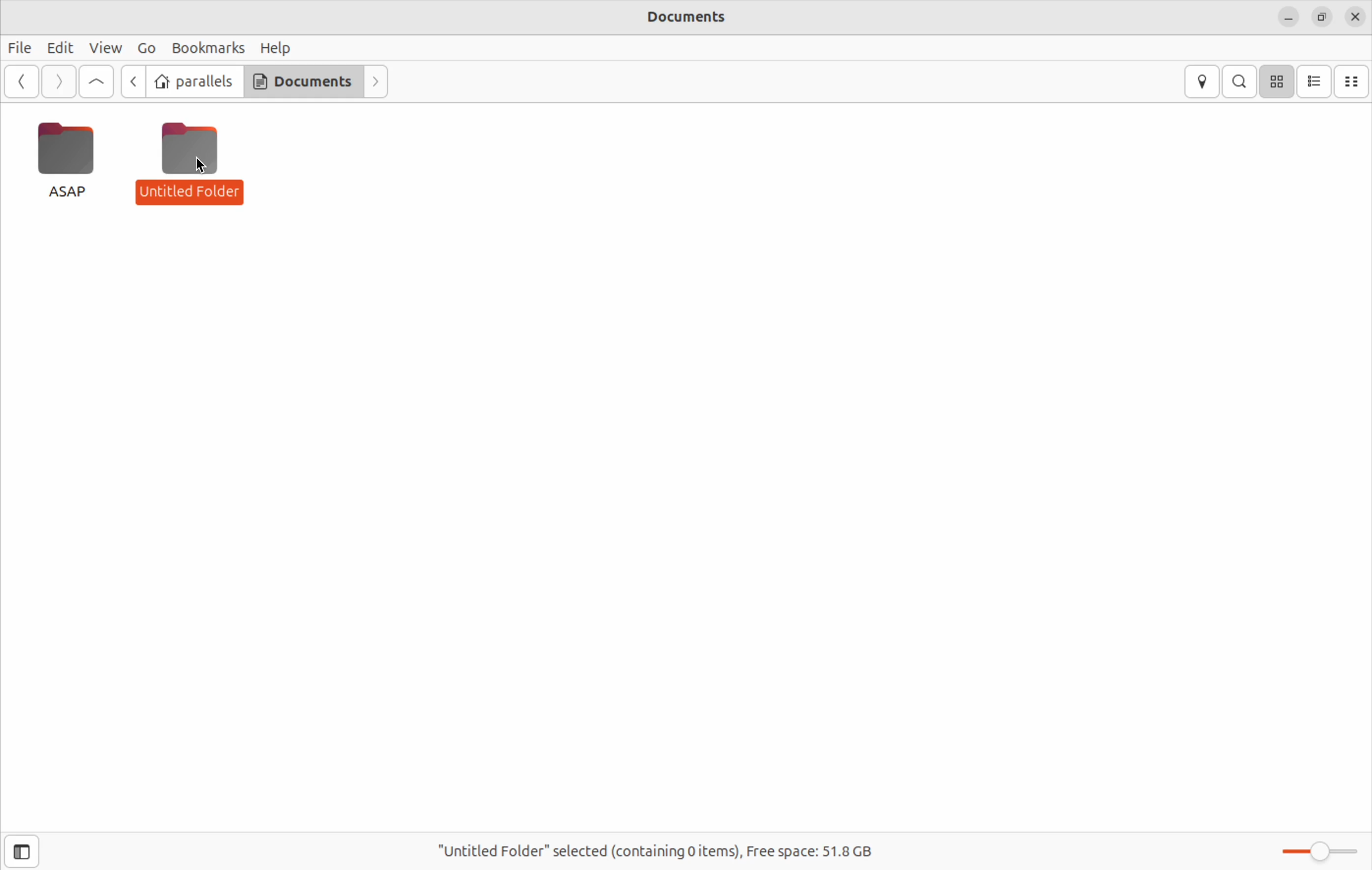 This screenshot has width=1372, height=870. What do you see at coordinates (58, 82) in the screenshot?
I see `forward` at bounding box center [58, 82].